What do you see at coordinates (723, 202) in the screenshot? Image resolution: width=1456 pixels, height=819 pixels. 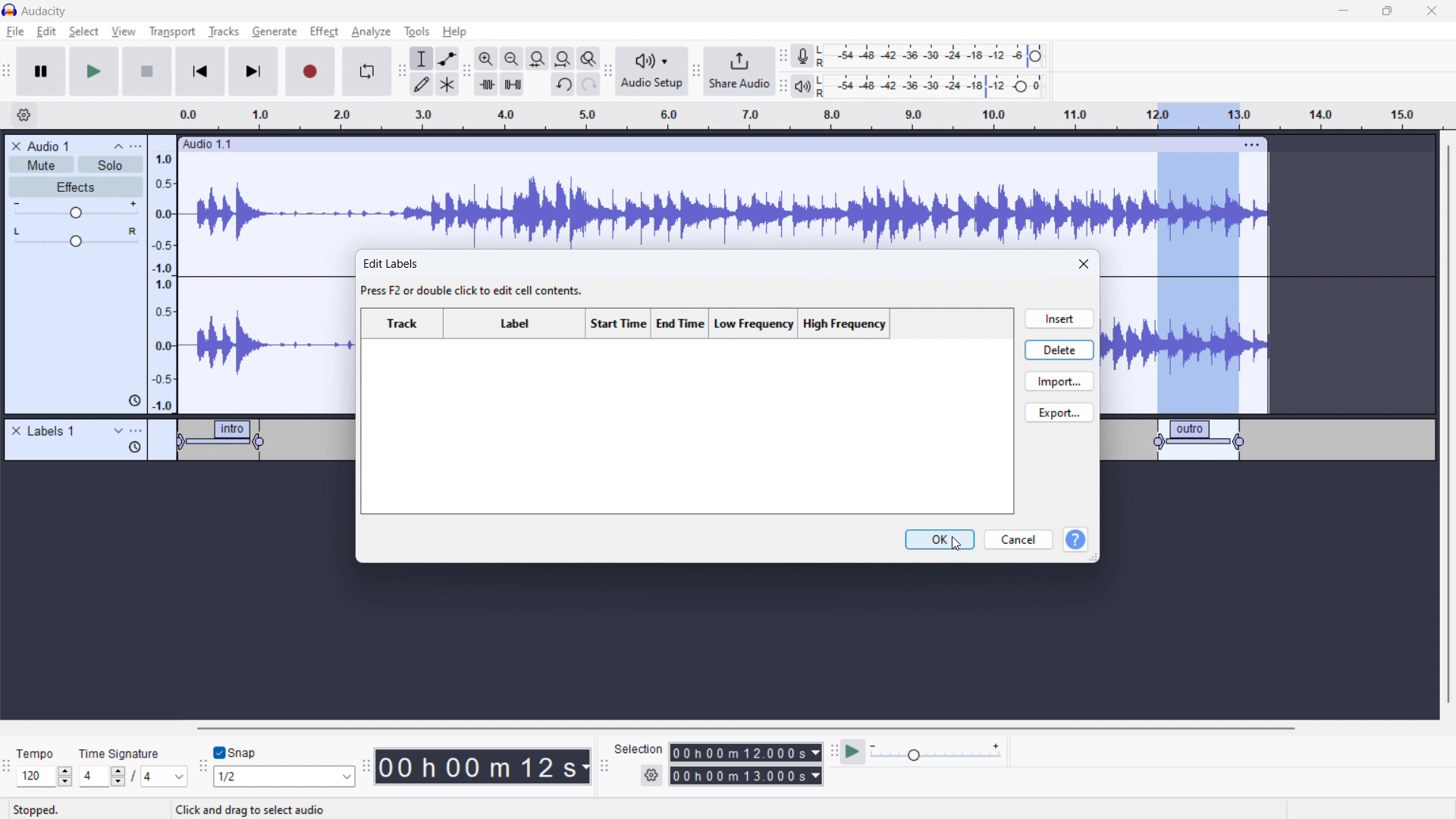 I see `audio wave` at bounding box center [723, 202].